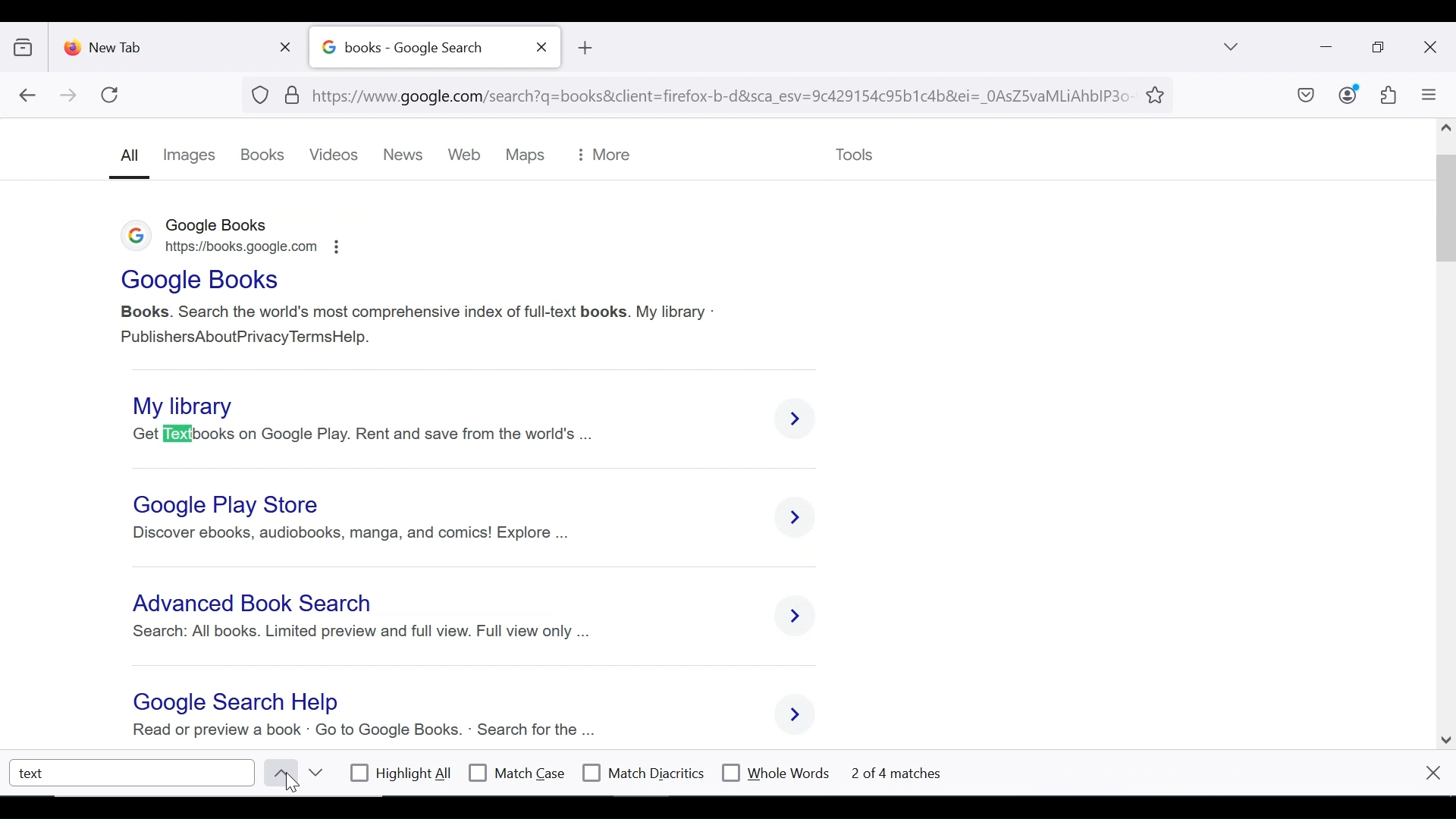  Describe the element at coordinates (910, 771) in the screenshot. I see `2 of 4 matches` at that location.